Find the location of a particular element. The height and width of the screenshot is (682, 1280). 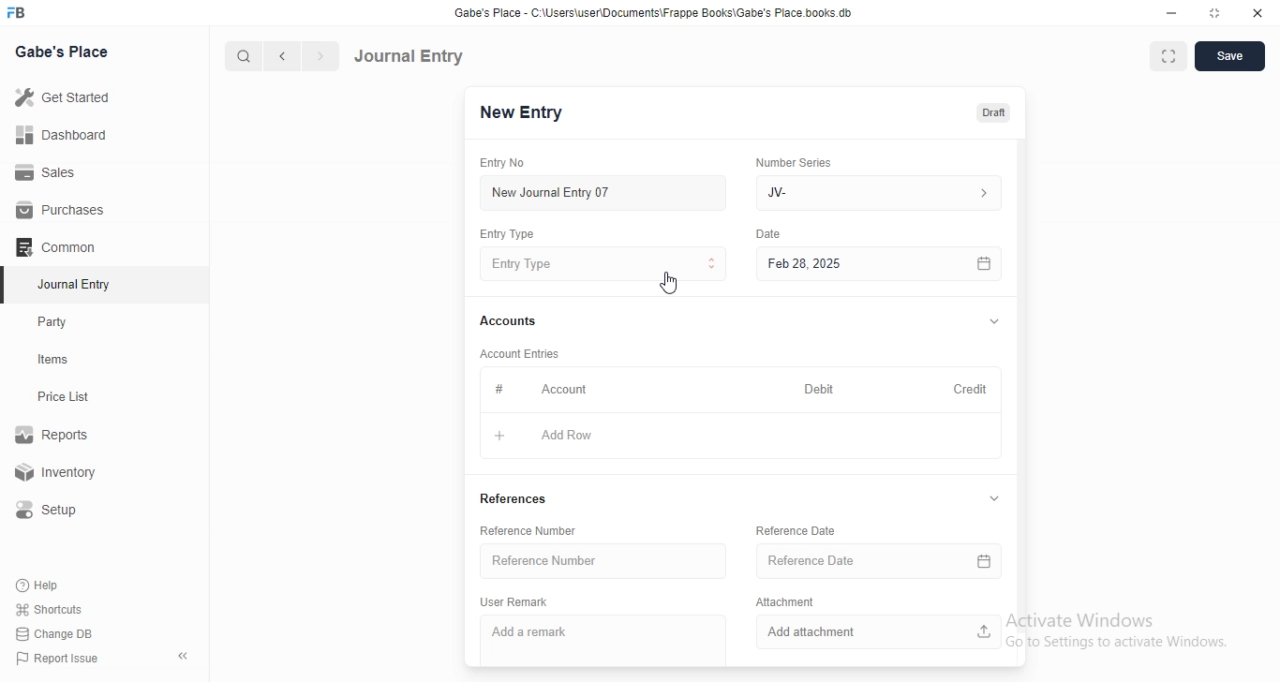

Journal Entry is located at coordinates (409, 56).